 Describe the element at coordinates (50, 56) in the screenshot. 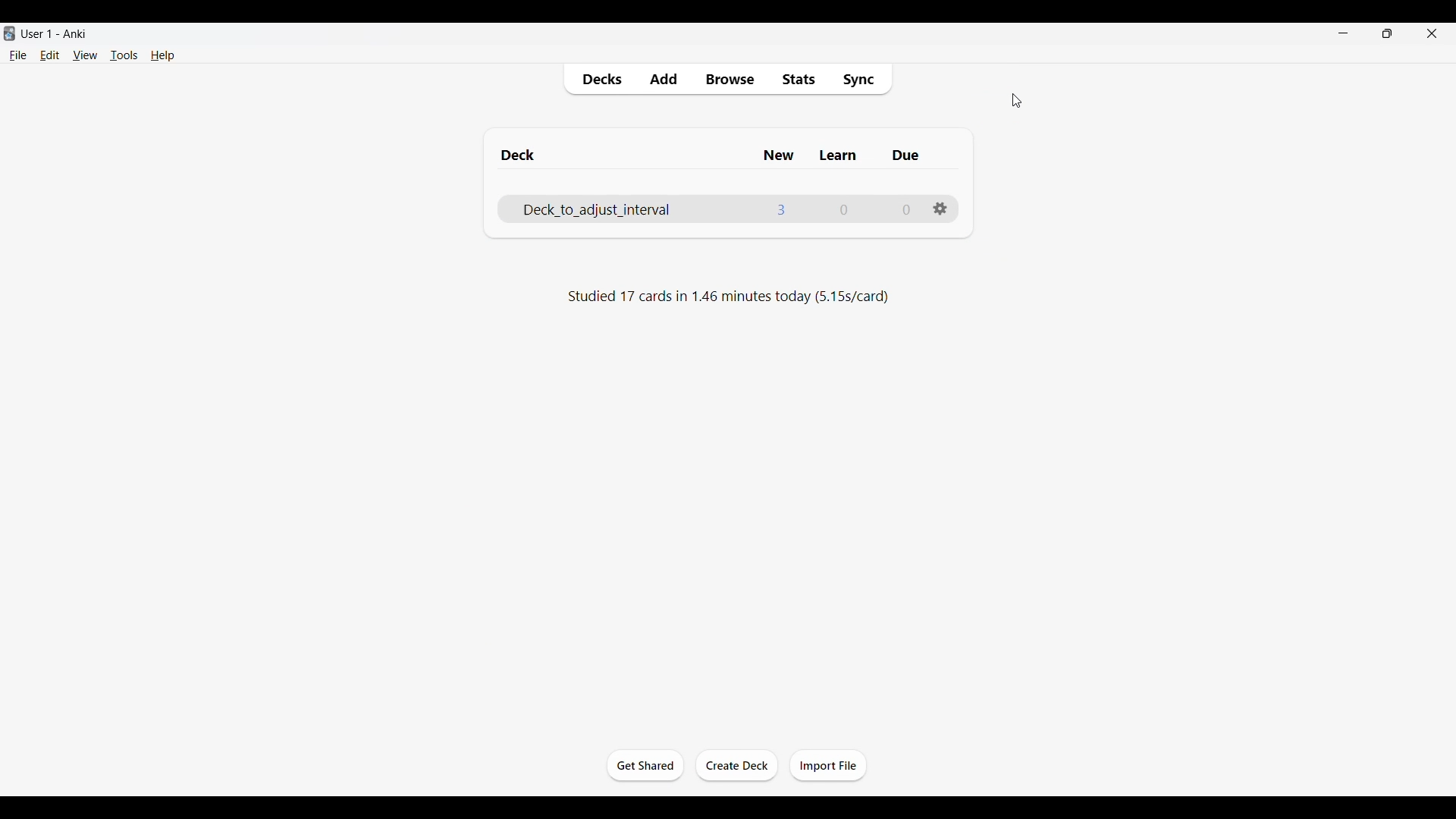

I see `Edit menu` at that location.